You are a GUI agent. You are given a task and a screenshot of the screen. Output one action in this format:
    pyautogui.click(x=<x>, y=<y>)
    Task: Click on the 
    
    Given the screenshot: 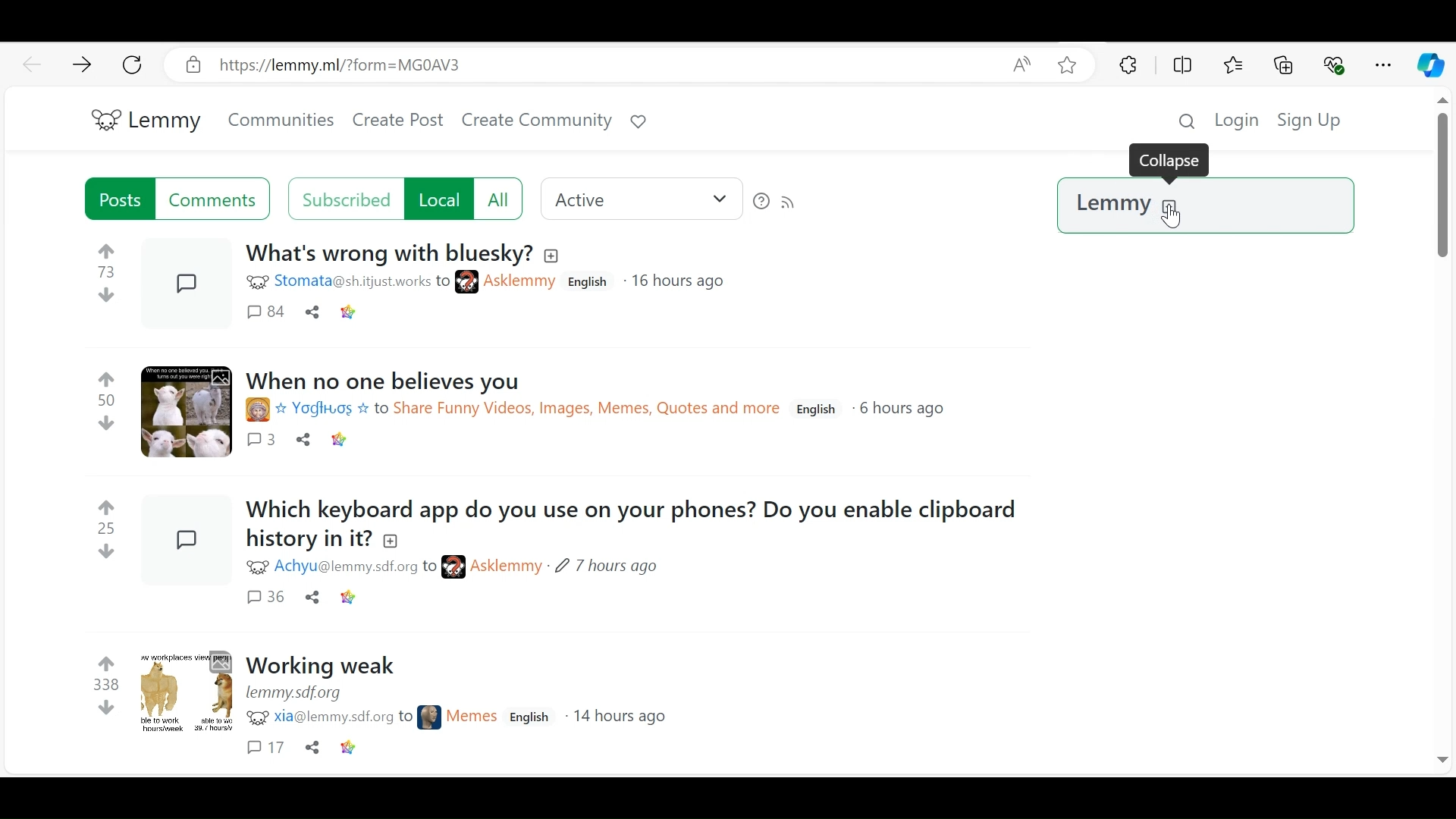 What is the action you would take?
    pyautogui.click(x=1435, y=759)
    